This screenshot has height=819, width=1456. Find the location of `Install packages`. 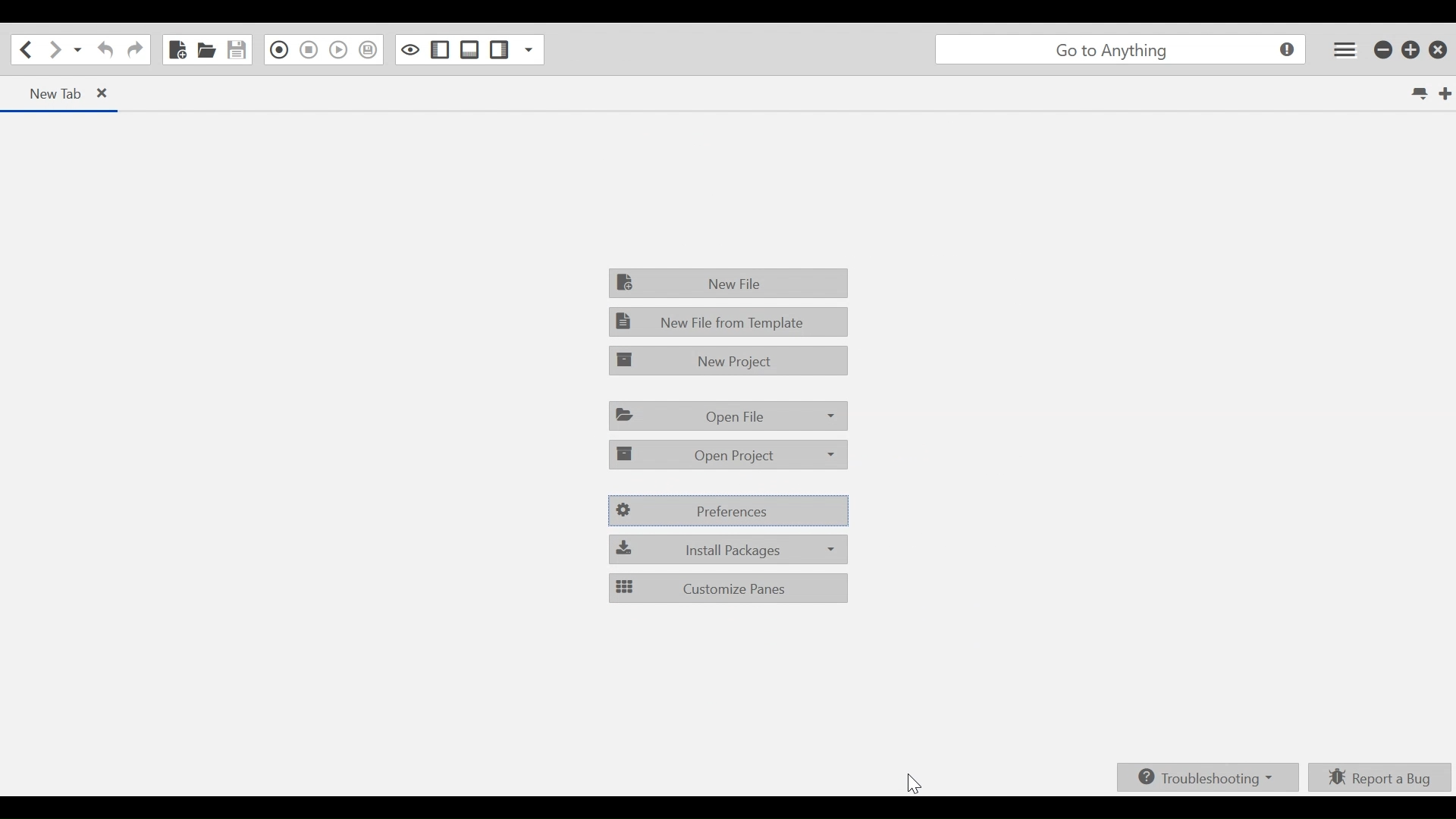

Install packages is located at coordinates (726, 551).